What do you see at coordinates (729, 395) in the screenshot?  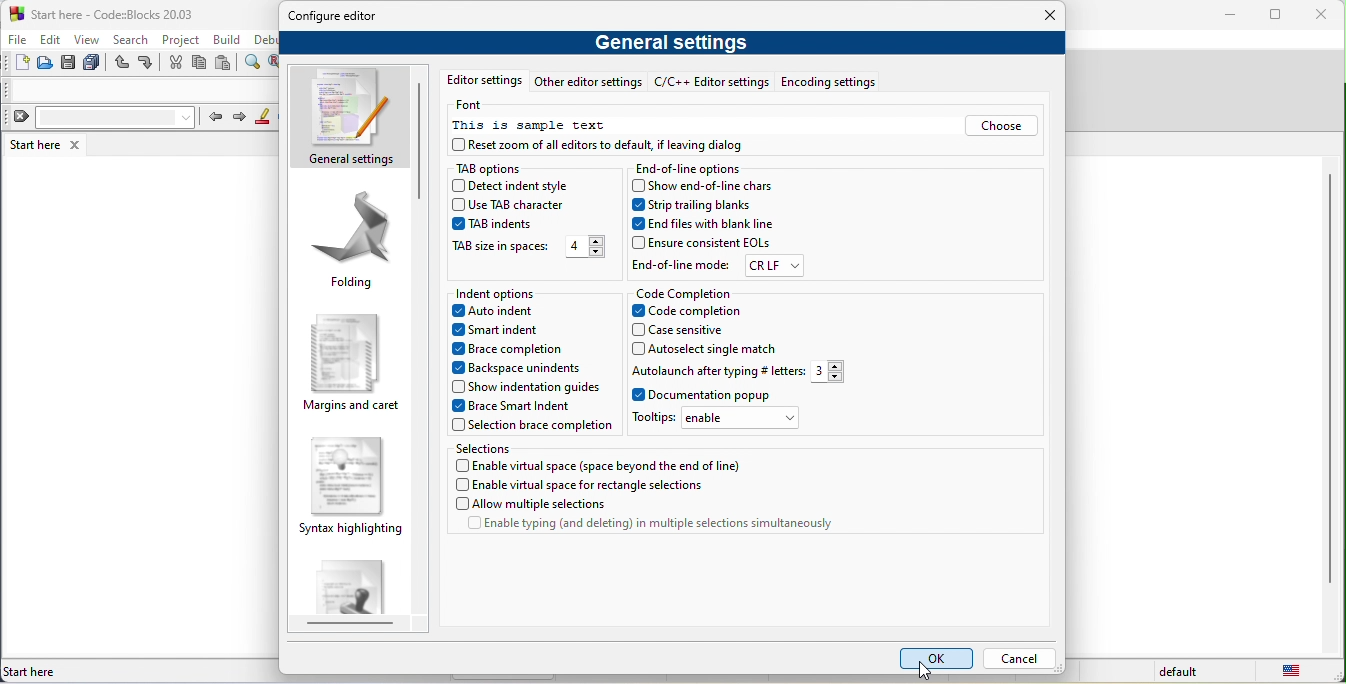 I see `documentation popup` at bounding box center [729, 395].